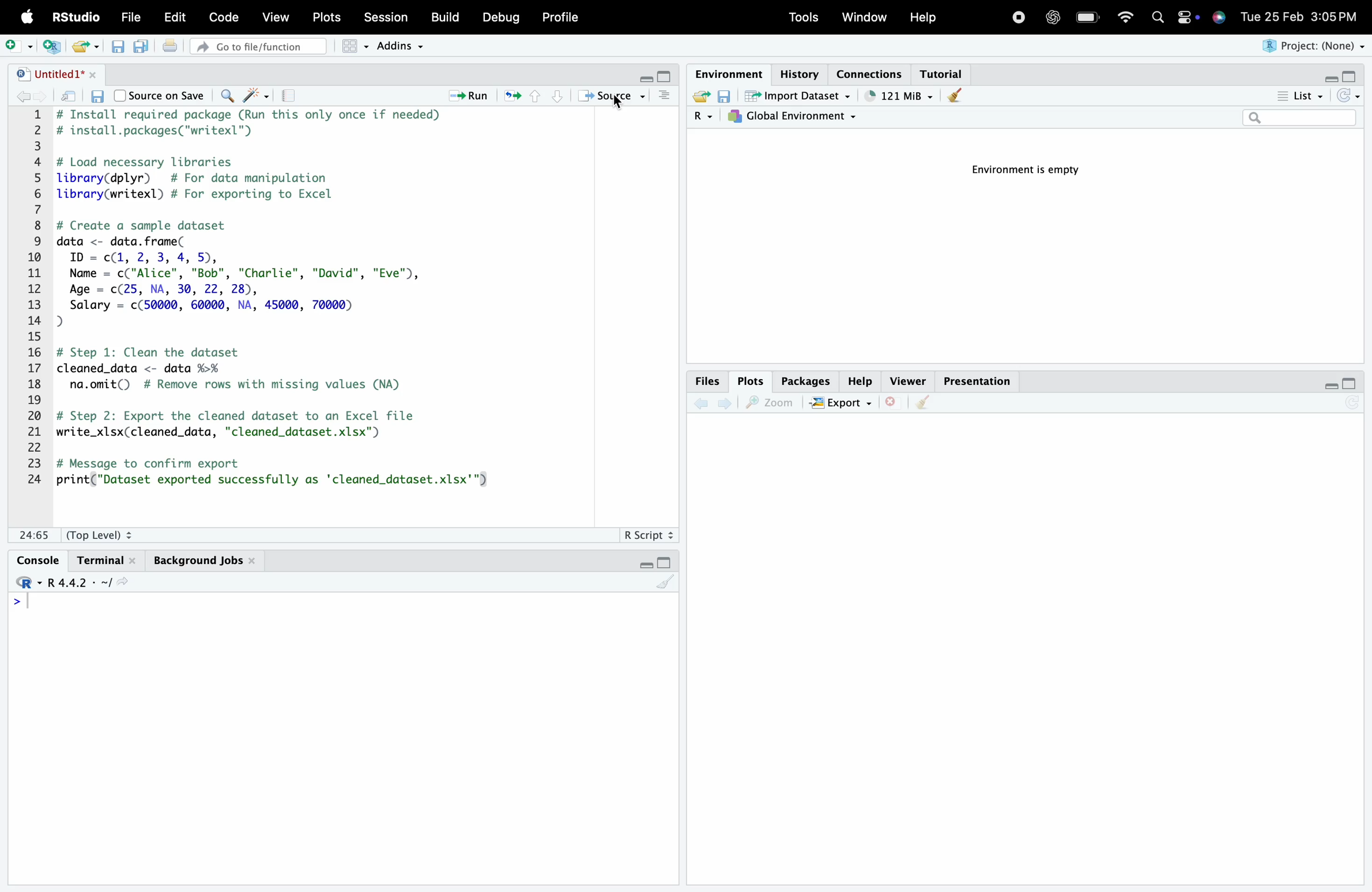  What do you see at coordinates (21, 96) in the screenshot?
I see `Go back to the previous source location (Ctrl + F9)` at bounding box center [21, 96].